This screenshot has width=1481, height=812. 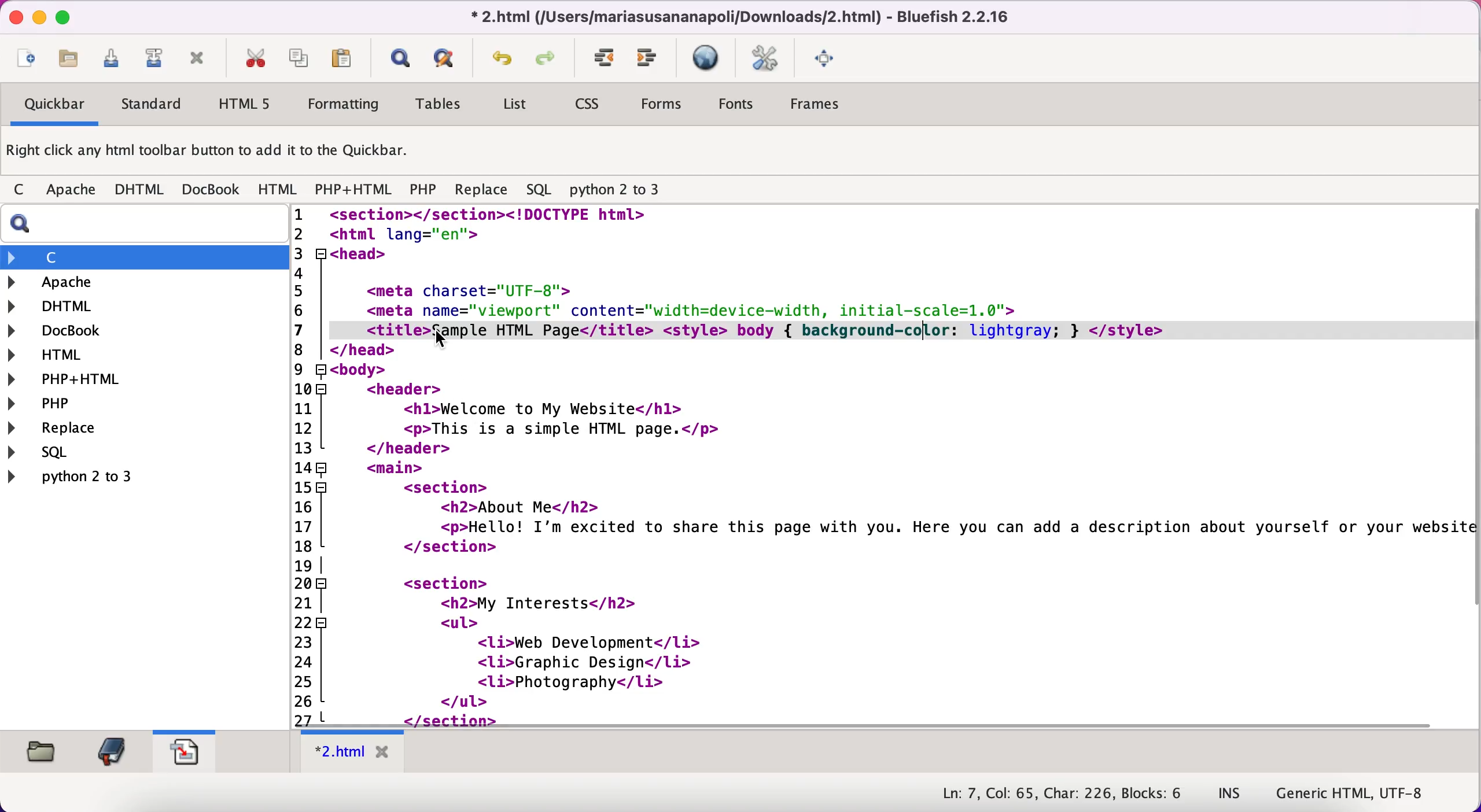 What do you see at coordinates (541, 190) in the screenshot?
I see `sql` at bounding box center [541, 190].